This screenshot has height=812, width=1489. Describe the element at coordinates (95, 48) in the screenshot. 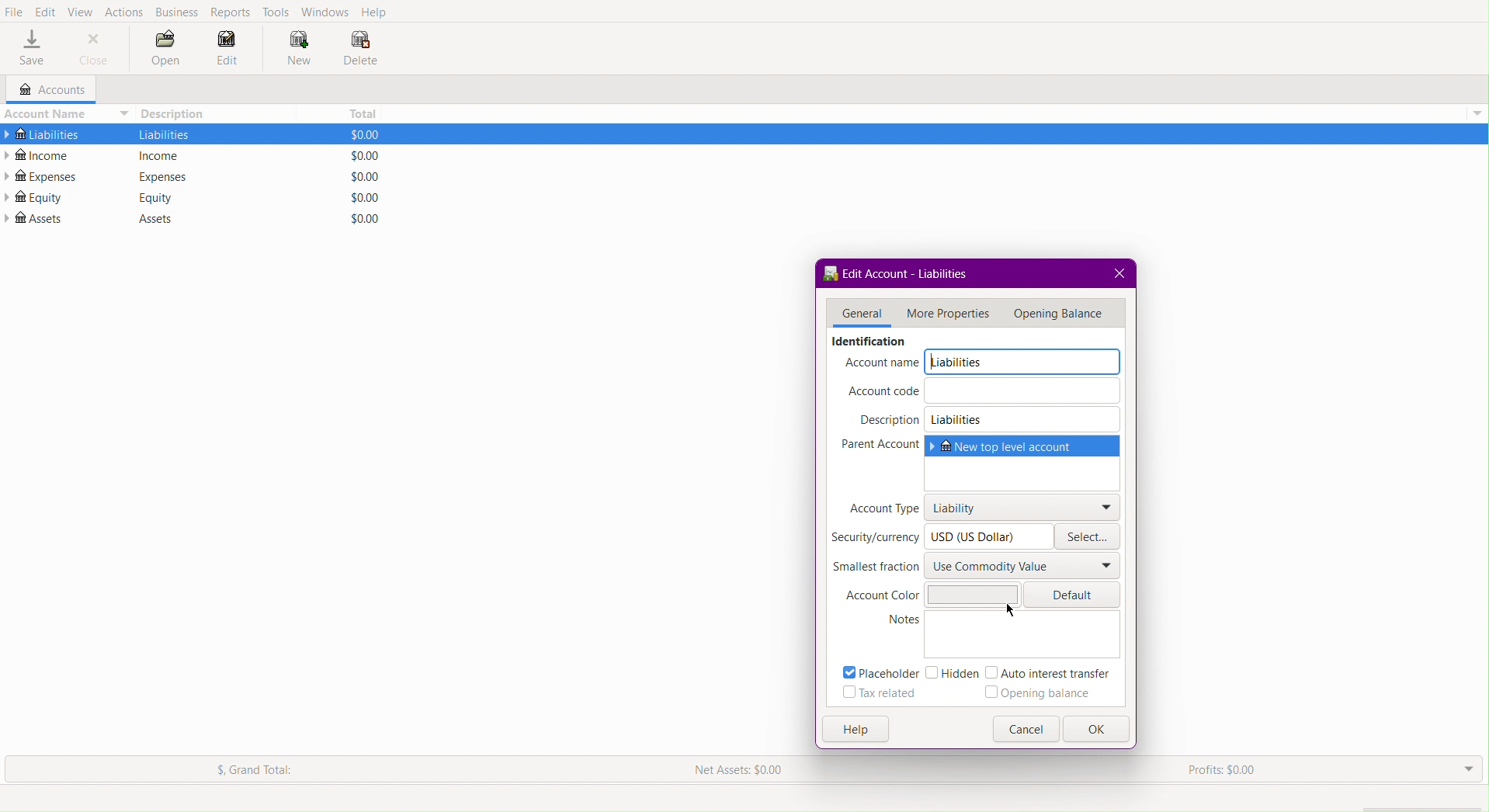

I see `Close` at that location.